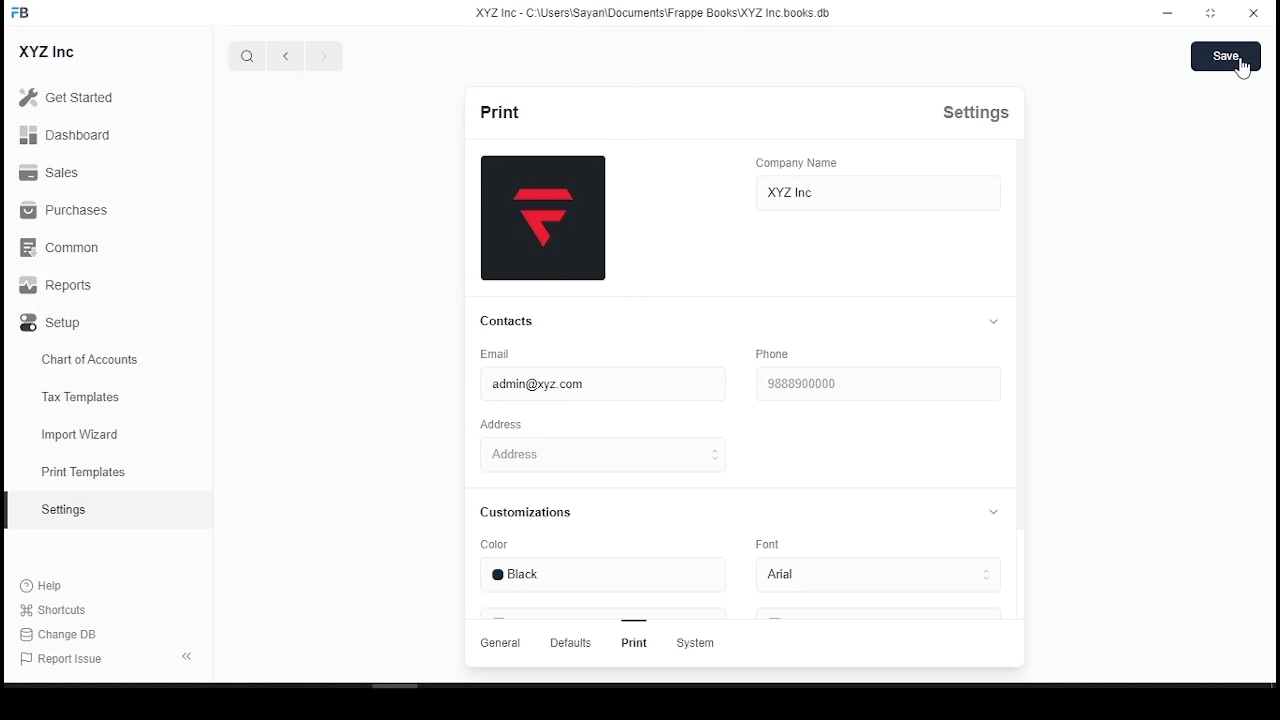  Describe the element at coordinates (283, 57) in the screenshot. I see `previous` at that location.